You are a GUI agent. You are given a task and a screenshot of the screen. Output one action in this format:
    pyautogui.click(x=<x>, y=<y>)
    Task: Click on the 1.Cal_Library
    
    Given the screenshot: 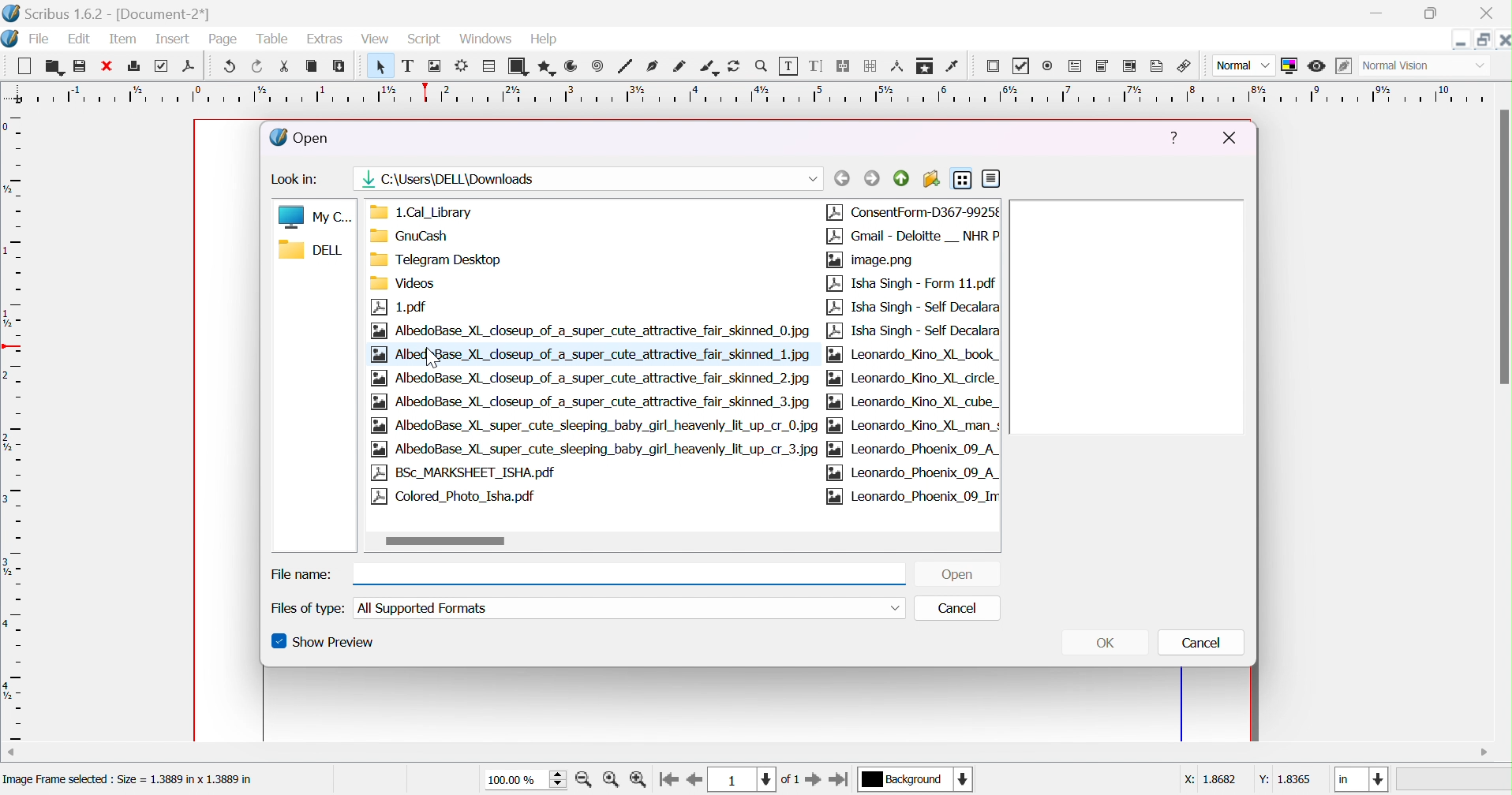 What is the action you would take?
    pyautogui.click(x=422, y=211)
    